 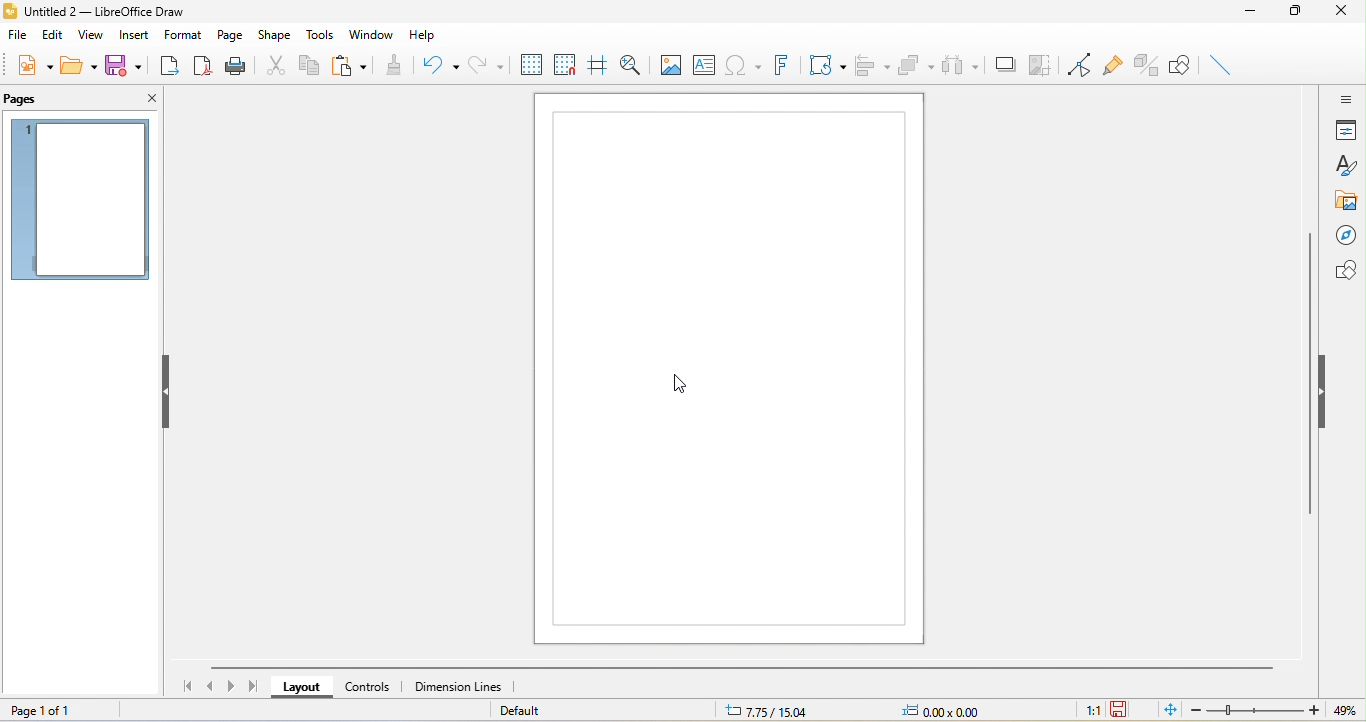 I want to click on fontwork text, so click(x=776, y=65).